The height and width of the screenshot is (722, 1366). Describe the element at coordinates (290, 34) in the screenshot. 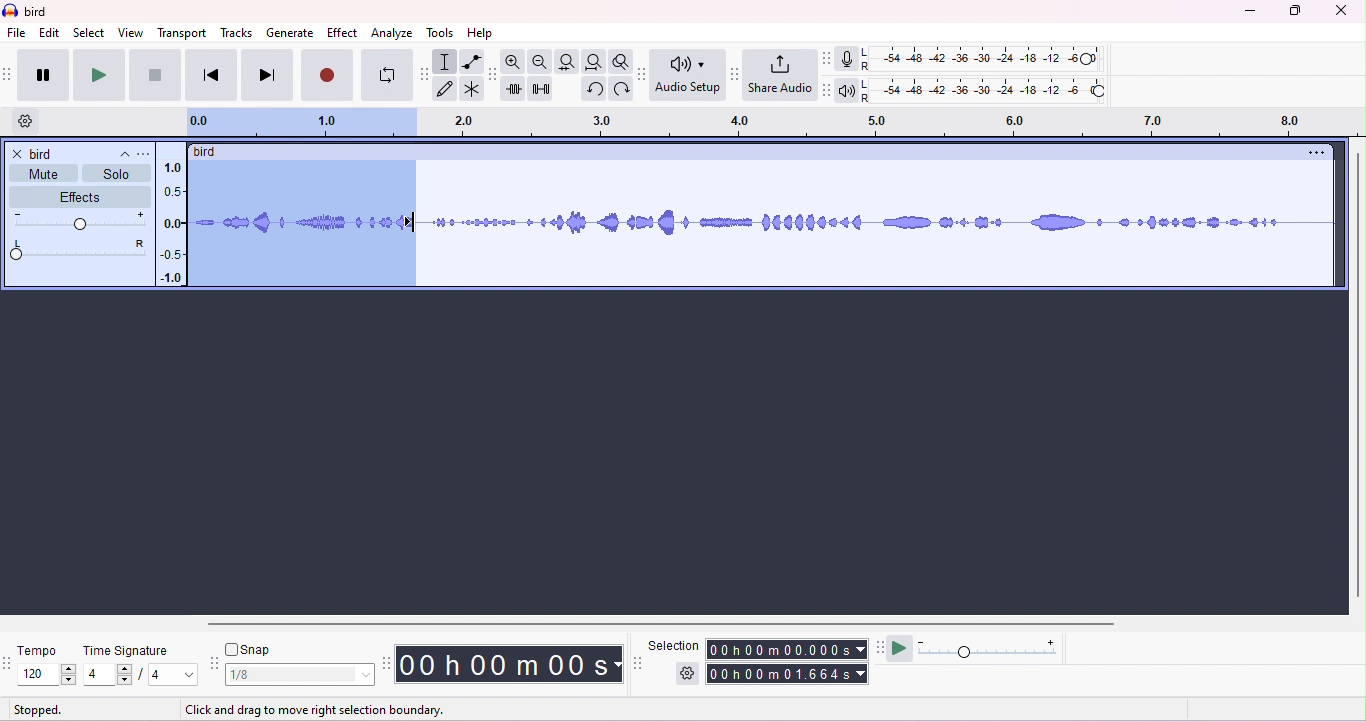

I see `generate` at that location.